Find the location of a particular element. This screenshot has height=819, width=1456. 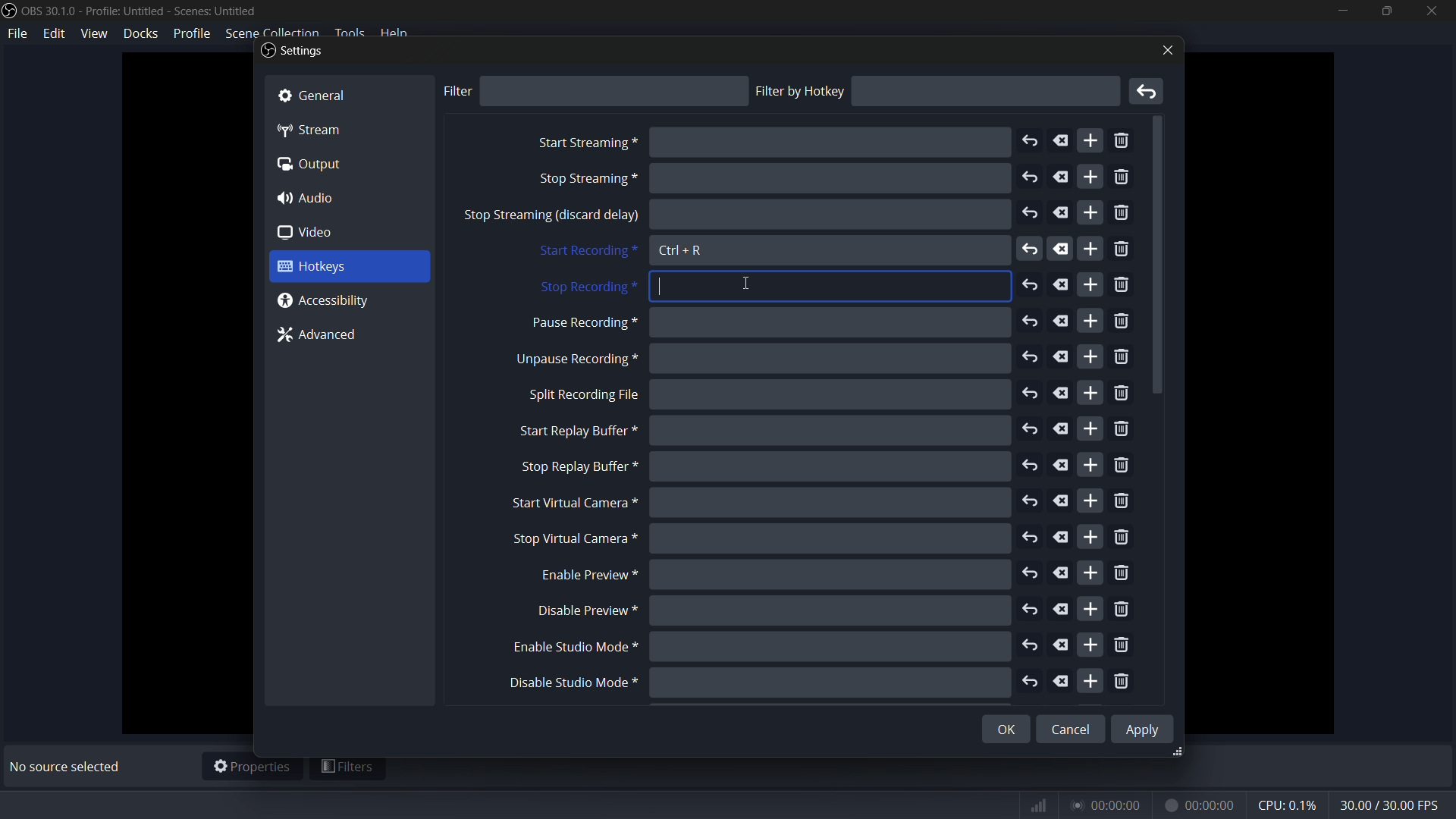

delete is located at coordinates (1062, 356).